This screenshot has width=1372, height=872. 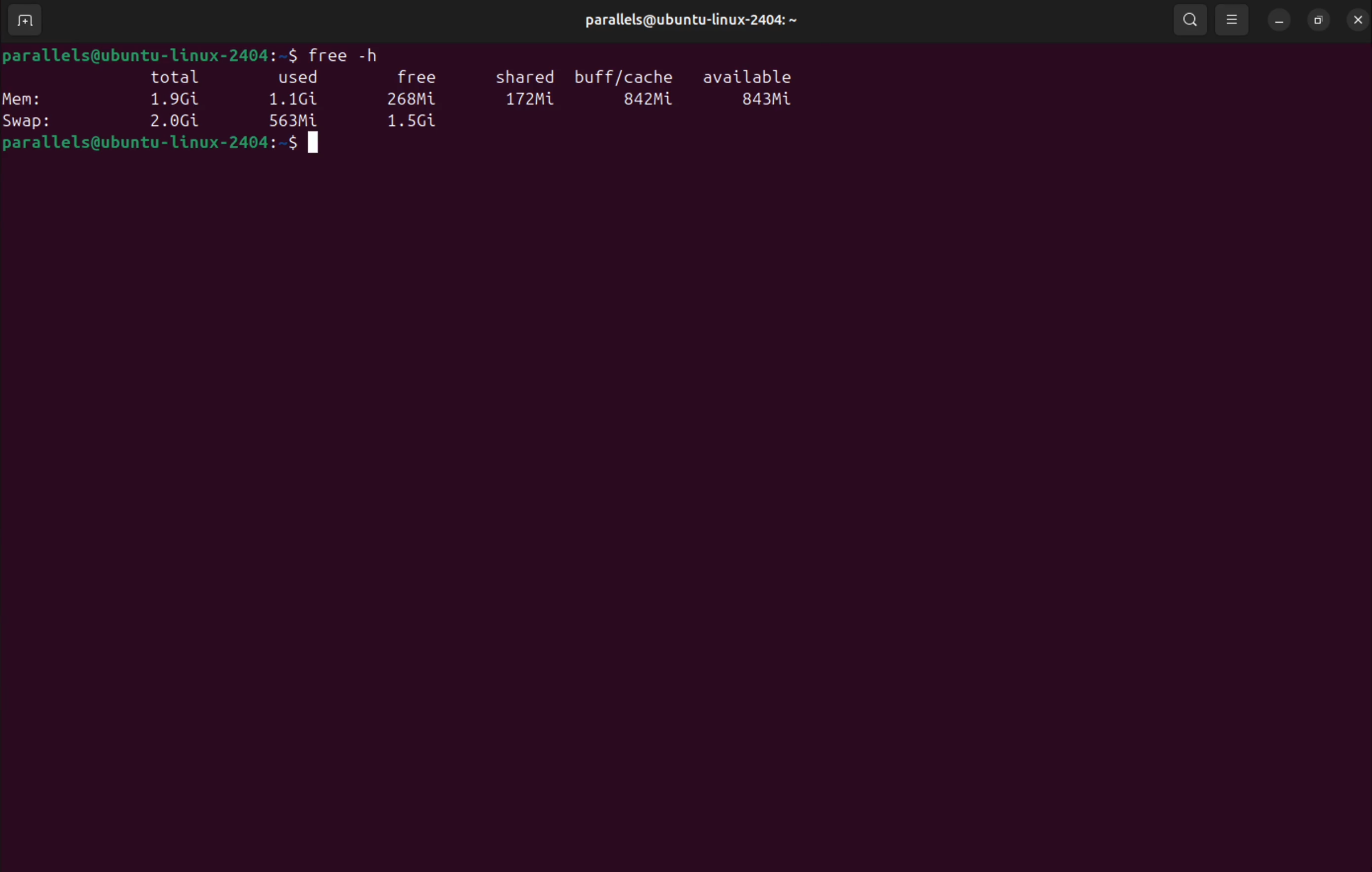 I want to click on free , so click(x=419, y=75).